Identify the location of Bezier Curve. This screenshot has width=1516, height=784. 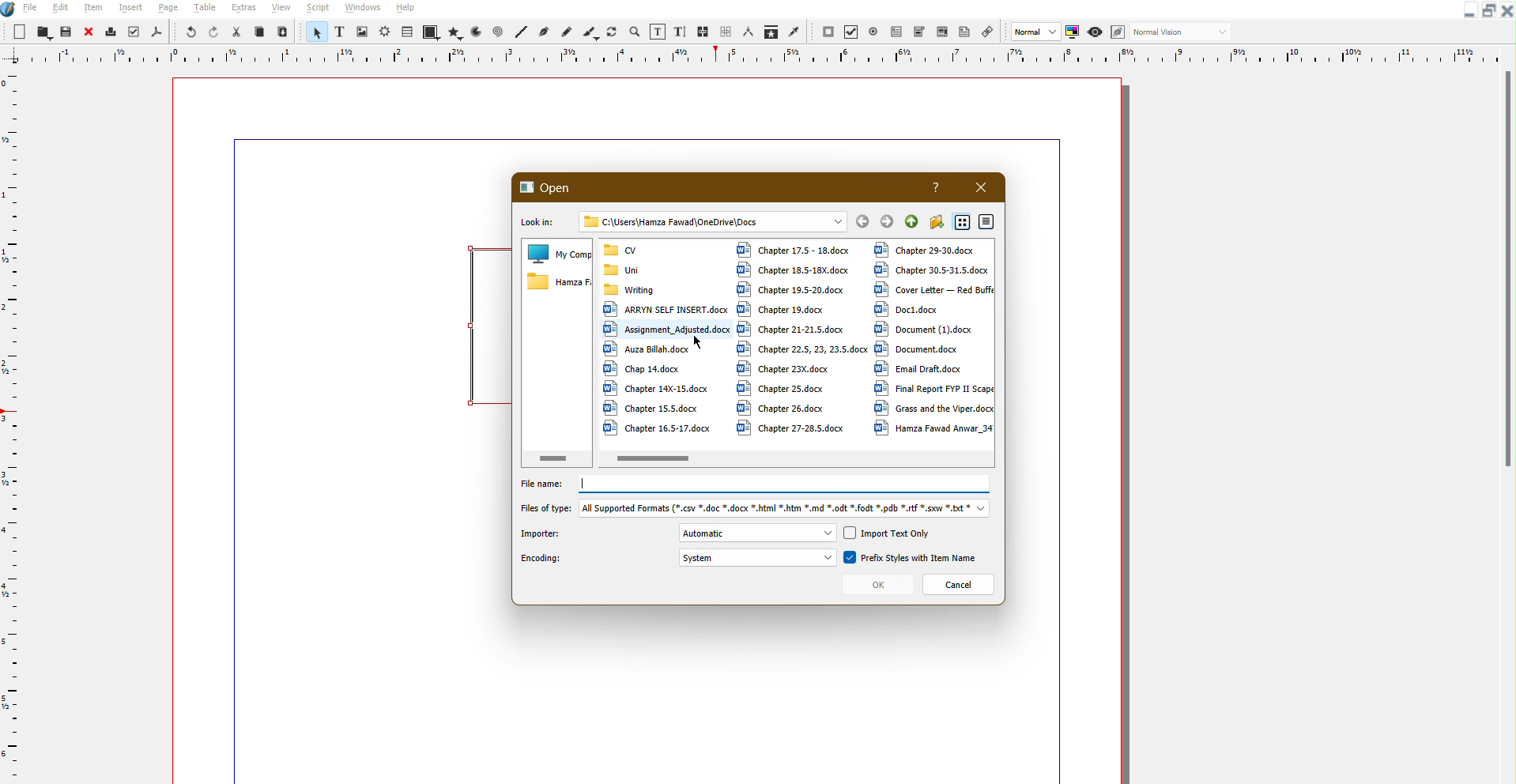
(544, 31).